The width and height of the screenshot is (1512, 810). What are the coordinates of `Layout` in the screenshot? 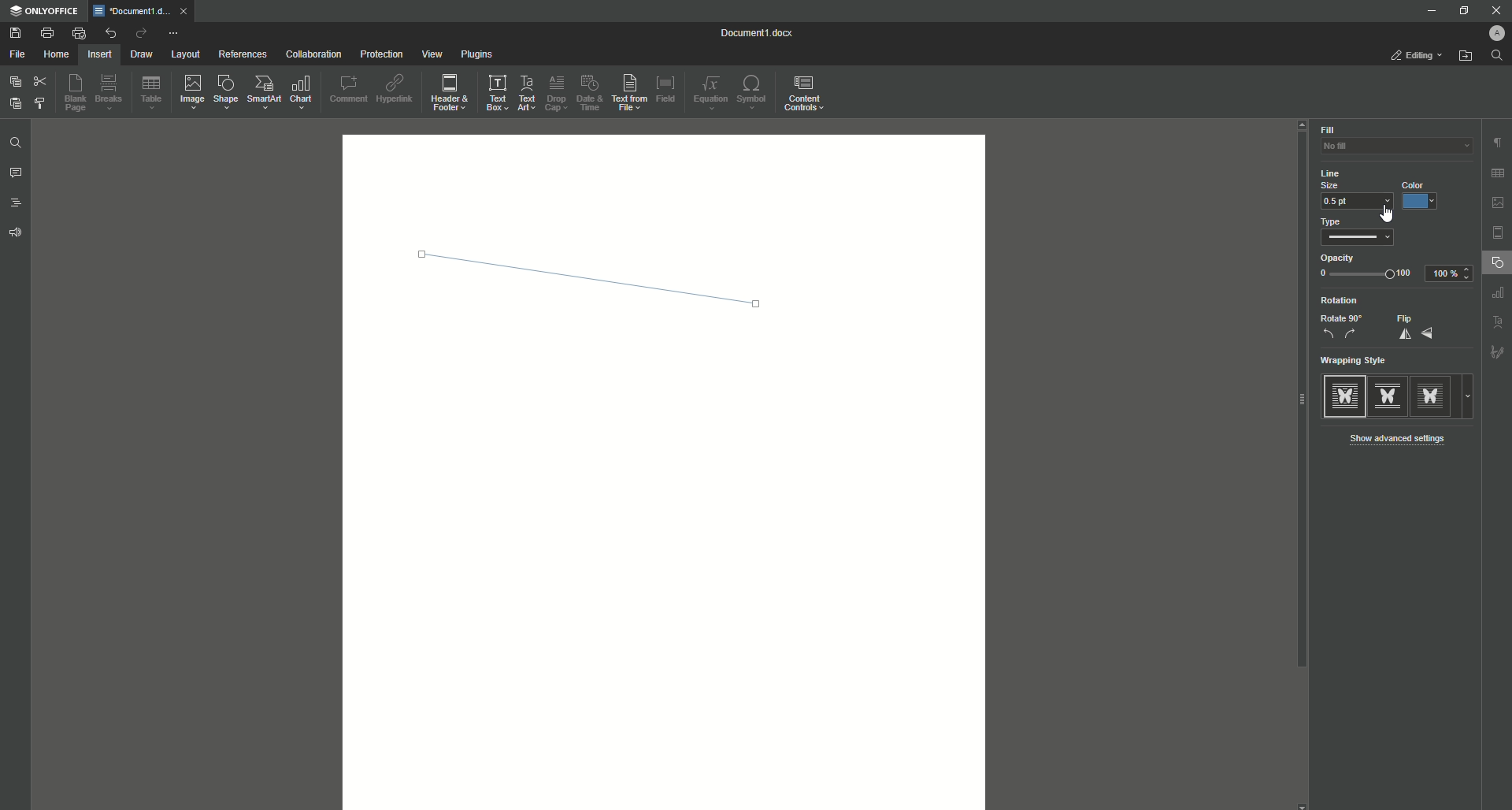 It's located at (184, 55).